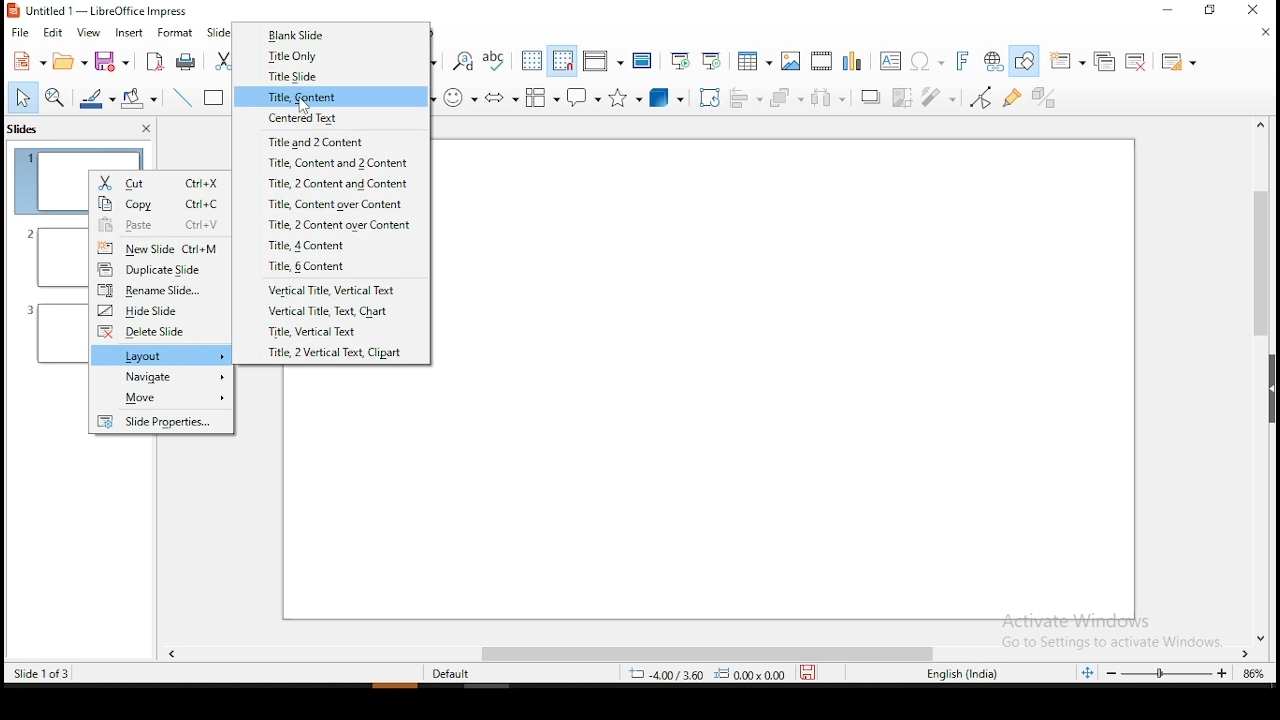 This screenshot has height=720, width=1280. Describe the element at coordinates (161, 310) in the screenshot. I see `hide slide` at that location.